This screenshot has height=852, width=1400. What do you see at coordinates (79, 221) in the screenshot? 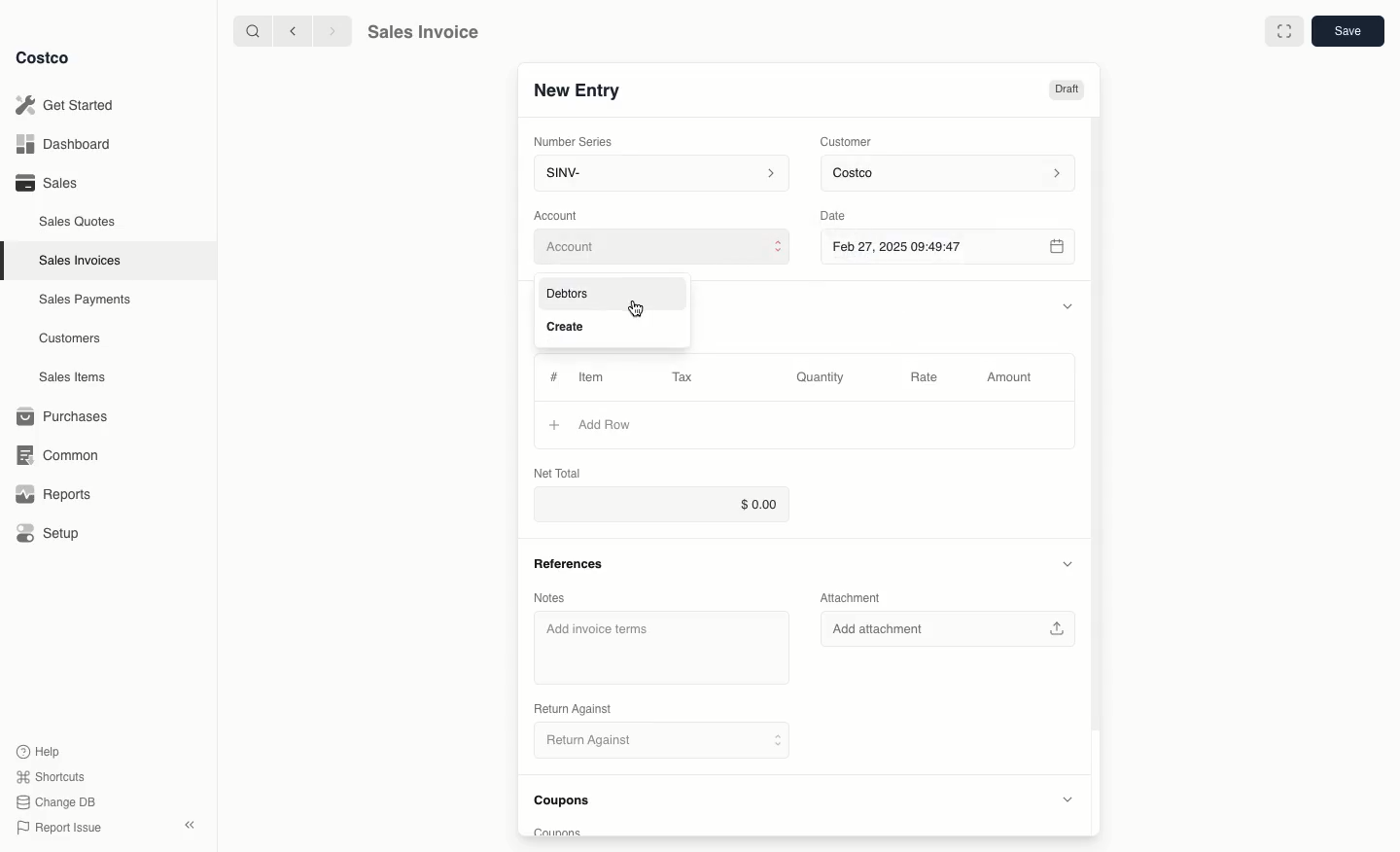
I see `Sales Quotes` at bounding box center [79, 221].